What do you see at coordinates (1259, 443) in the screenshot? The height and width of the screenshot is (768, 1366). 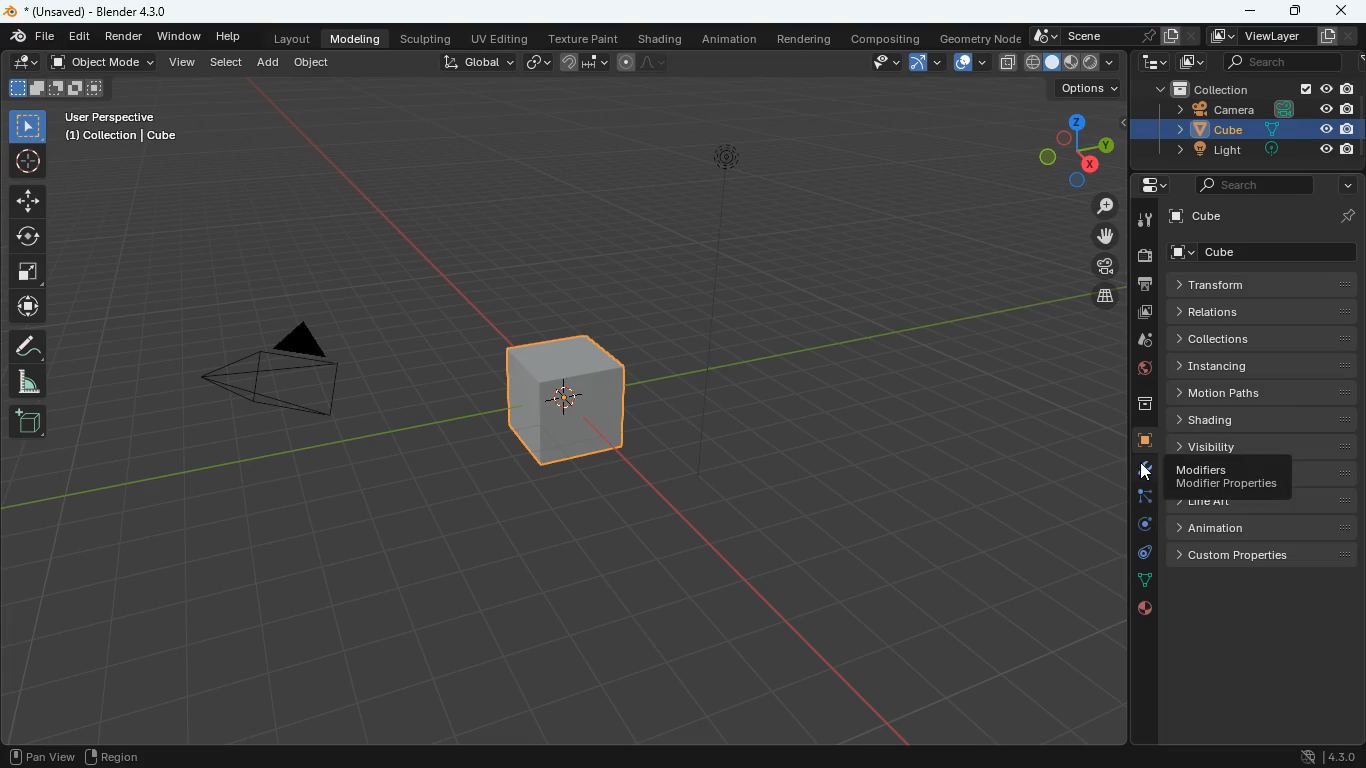 I see `visibility` at bounding box center [1259, 443].